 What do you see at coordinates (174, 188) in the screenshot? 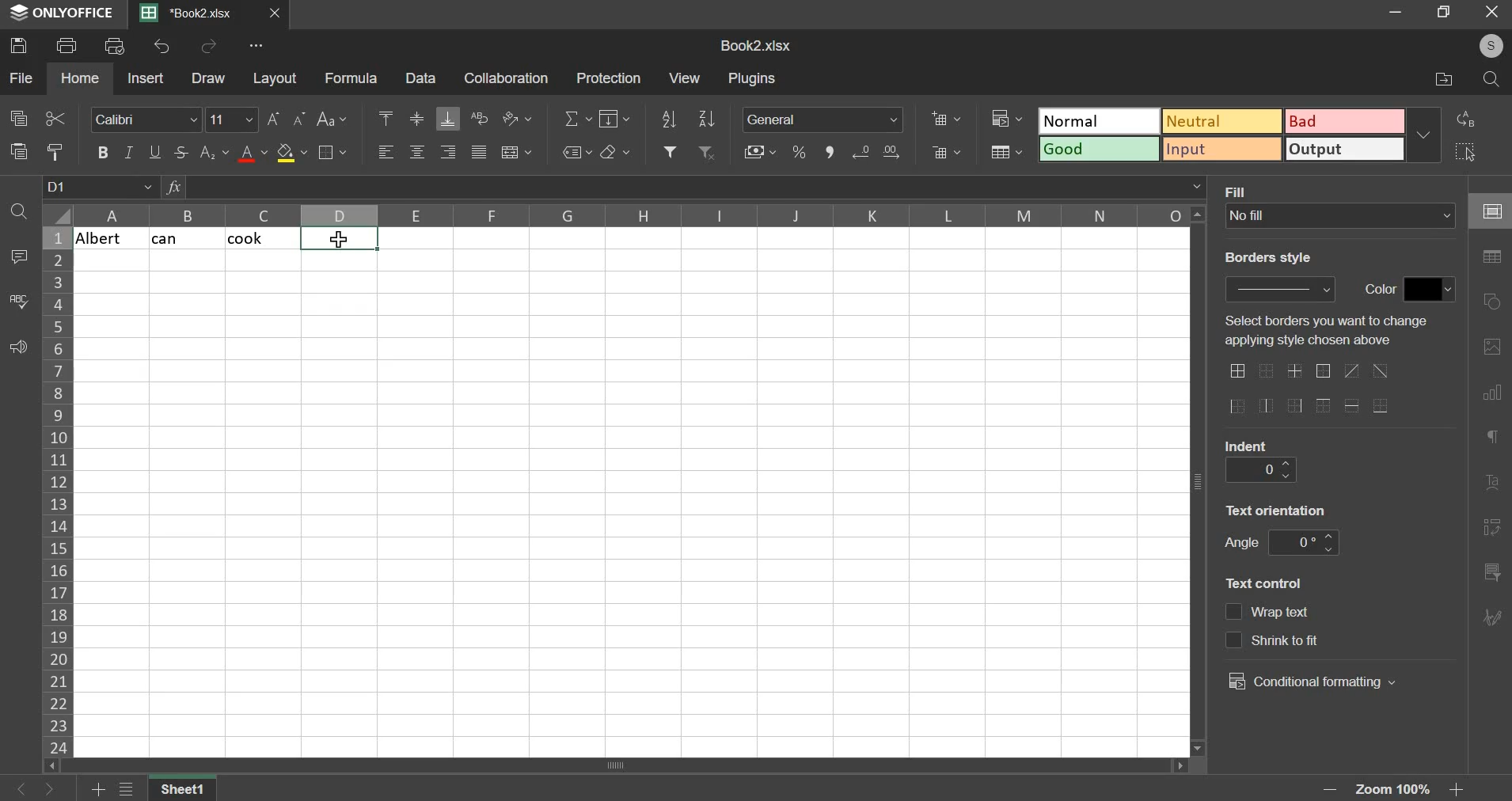
I see `formula` at bounding box center [174, 188].